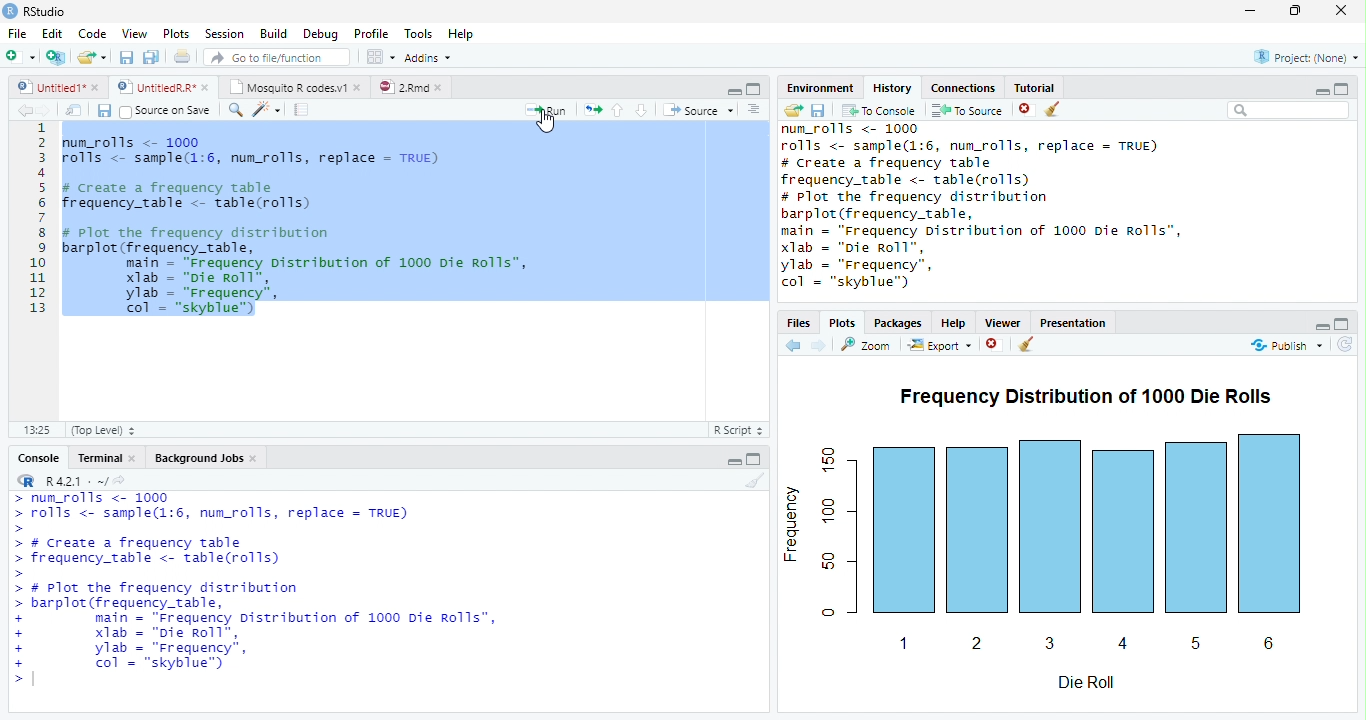  Describe the element at coordinates (545, 123) in the screenshot. I see `Mouse Cursor` at that location.